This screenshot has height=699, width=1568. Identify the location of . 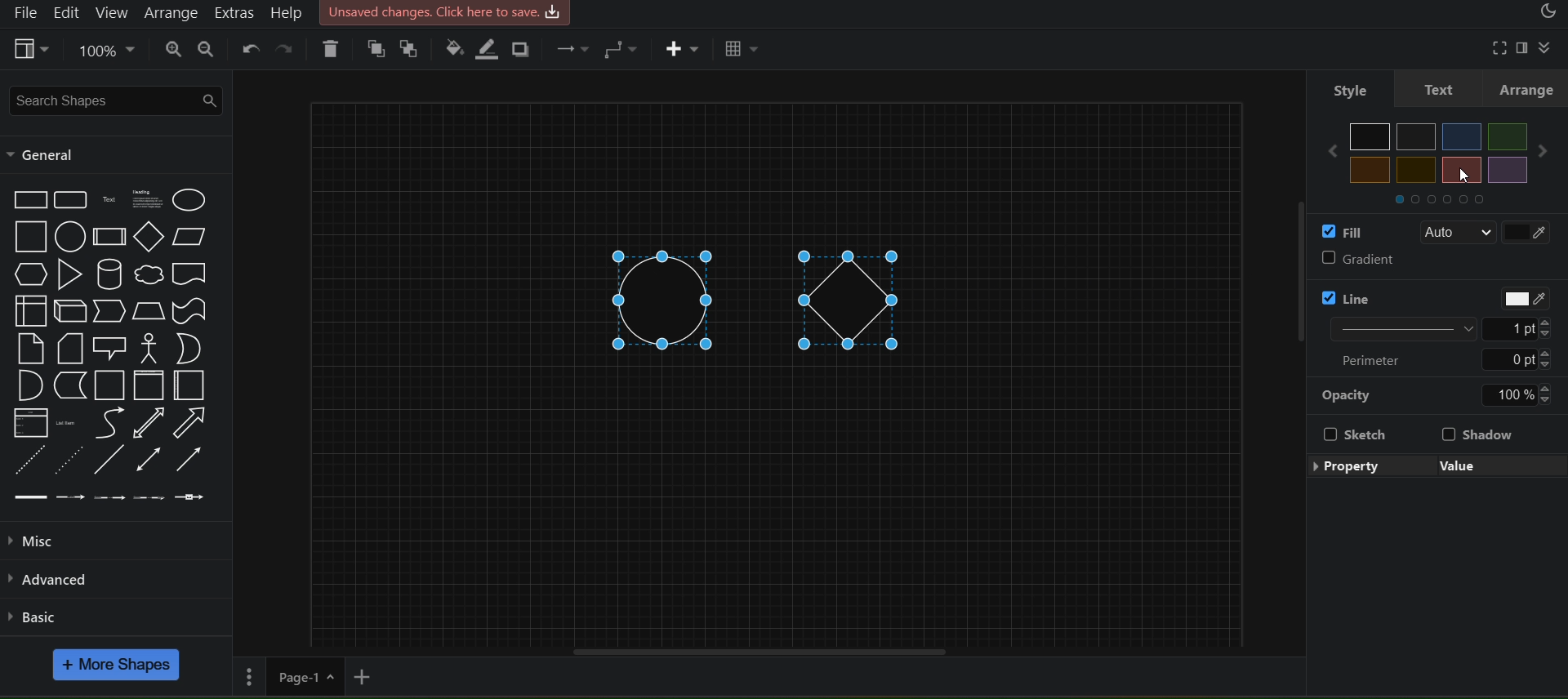
(1330, 153).